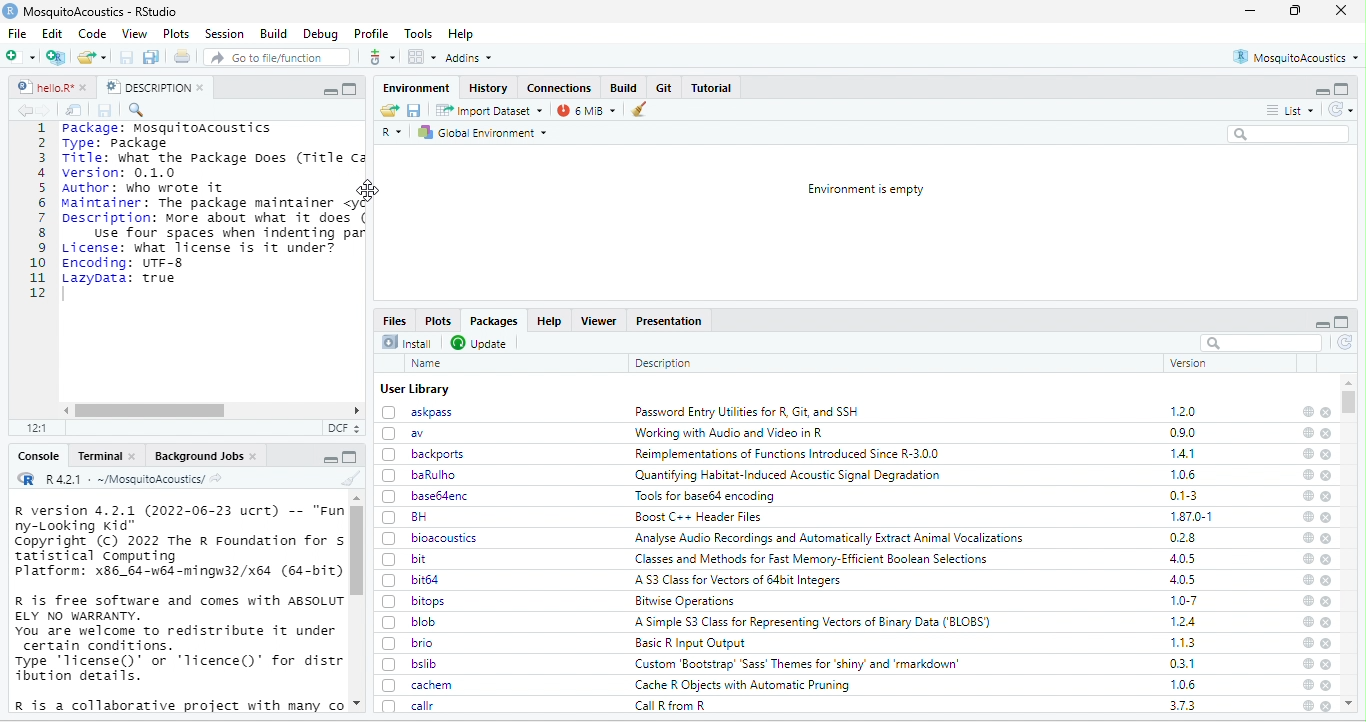 Image resolution: width=1366 pixels, height=722 pixels. Describe the element at coordinates (224, 34) in the screenshot. I see `Session` at that location.